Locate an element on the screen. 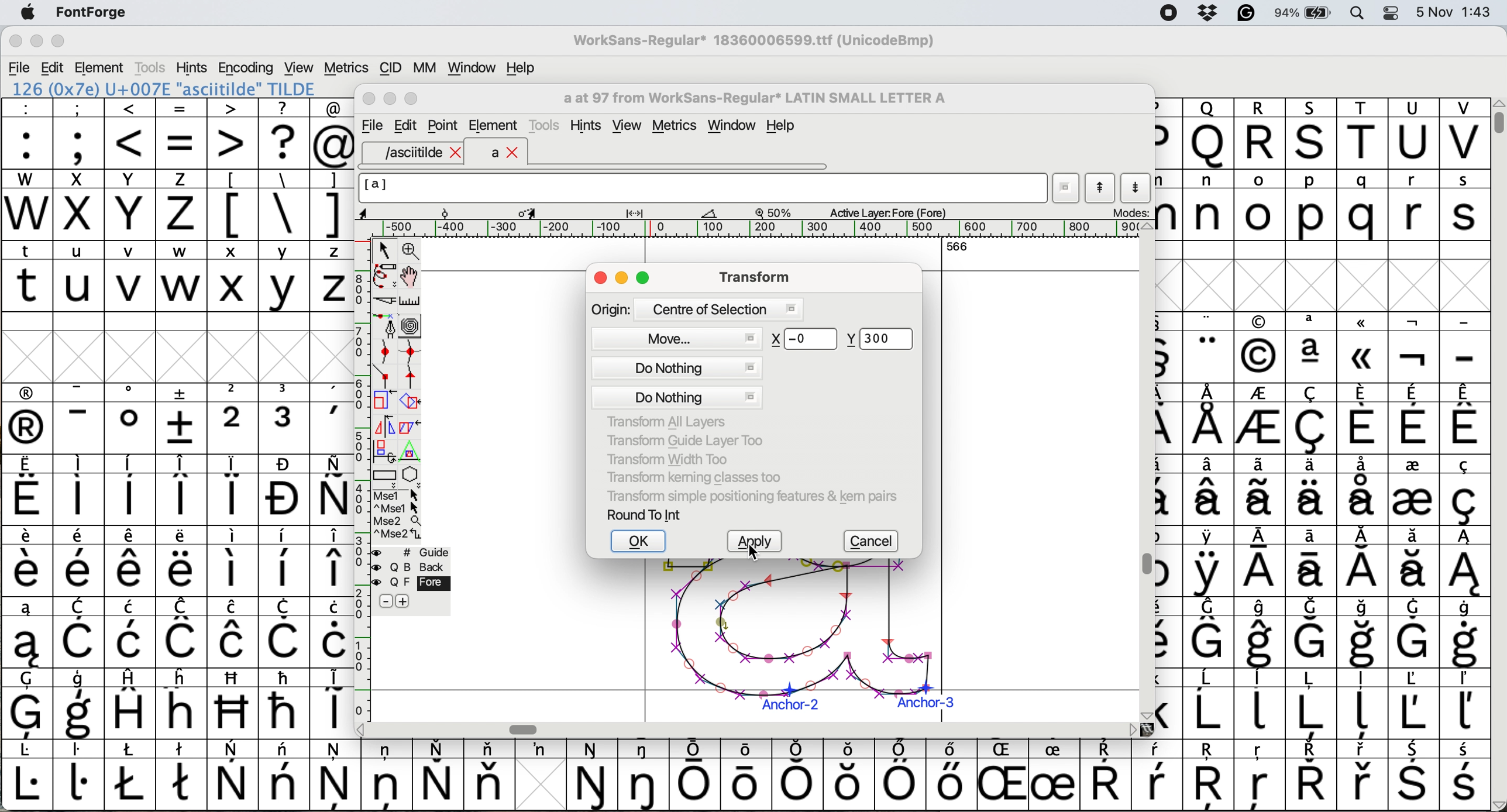  symbol is located at coordinates (1210, 419).